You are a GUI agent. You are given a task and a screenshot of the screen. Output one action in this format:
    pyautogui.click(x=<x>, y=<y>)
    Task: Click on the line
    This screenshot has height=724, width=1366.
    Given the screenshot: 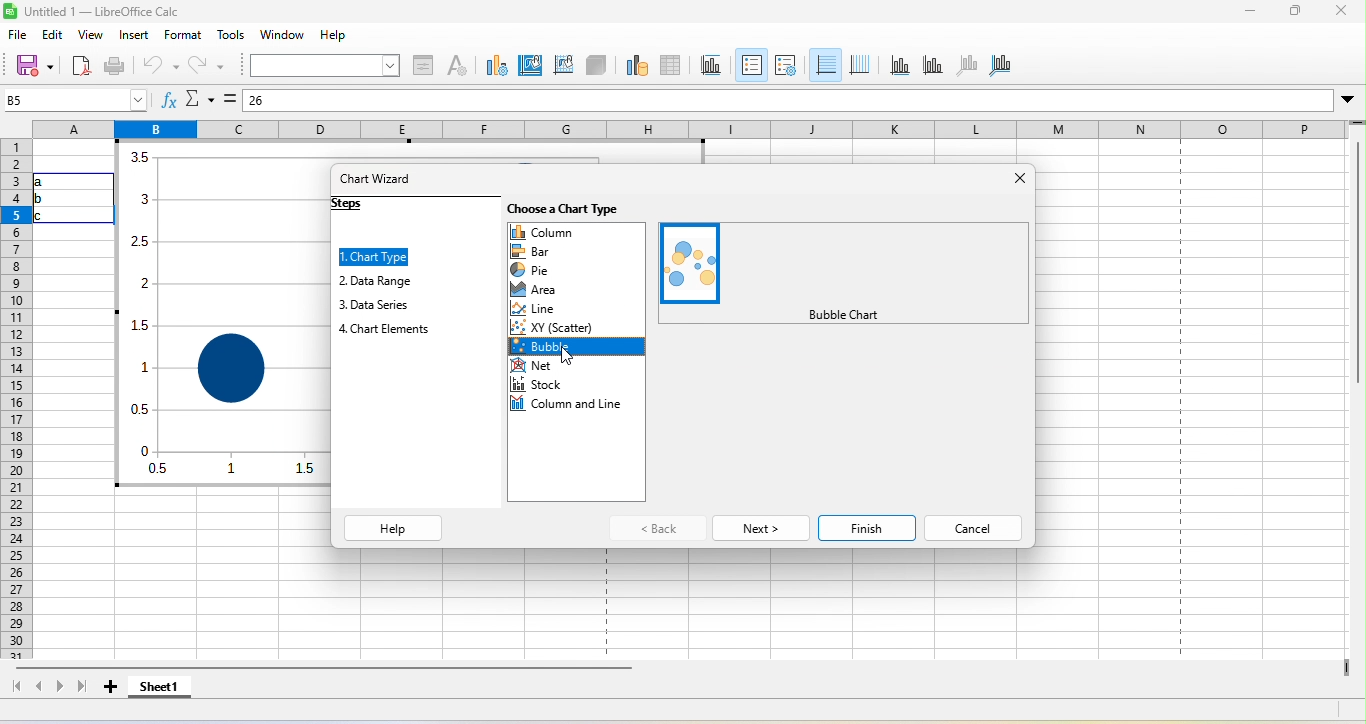 What is the action you would take?
    pyautogui.click(x=539, y=308)
    